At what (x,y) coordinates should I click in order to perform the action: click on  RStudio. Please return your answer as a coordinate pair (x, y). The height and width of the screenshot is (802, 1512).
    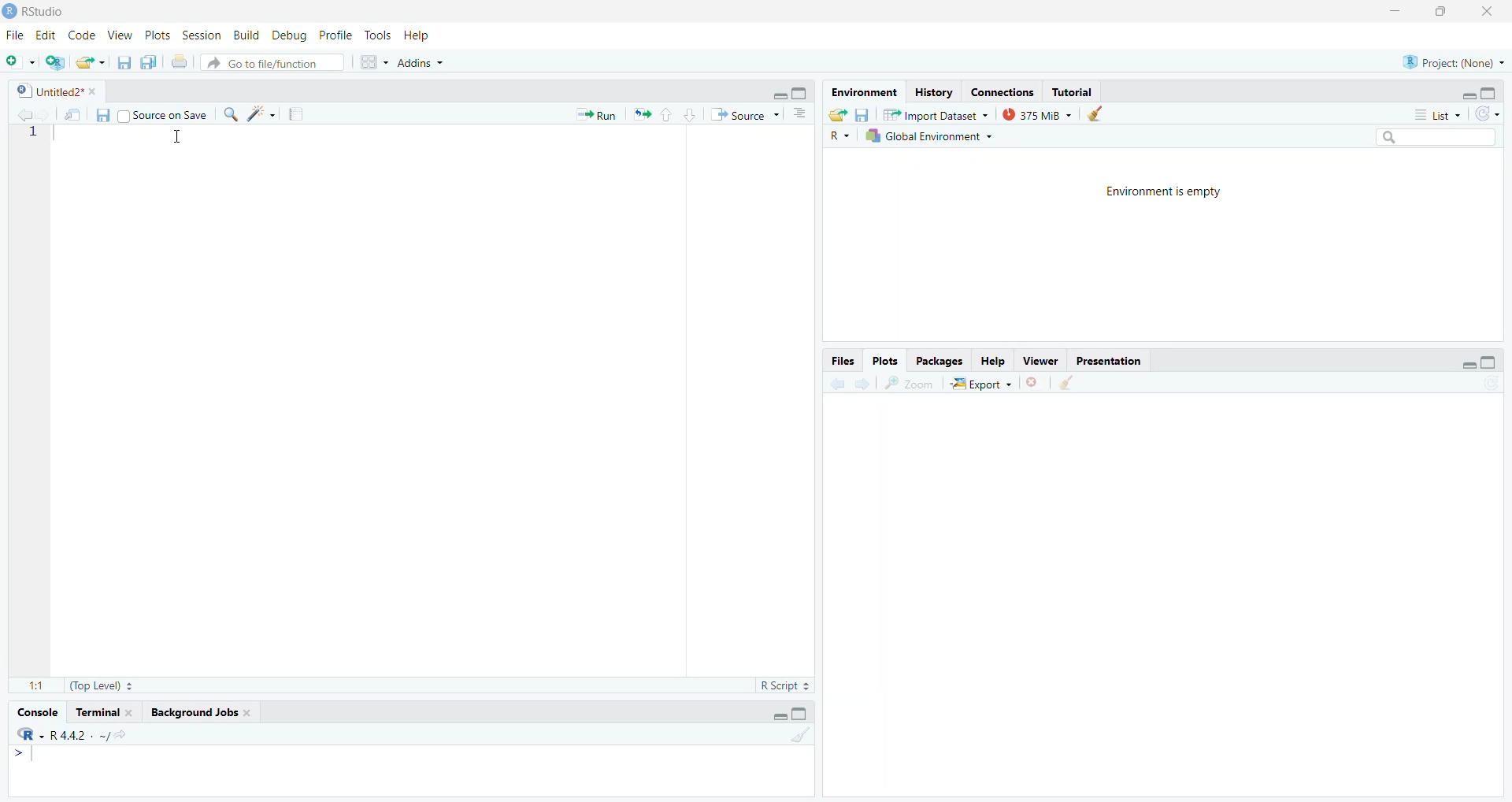
    Looking at the image, I should click on (43, 9).